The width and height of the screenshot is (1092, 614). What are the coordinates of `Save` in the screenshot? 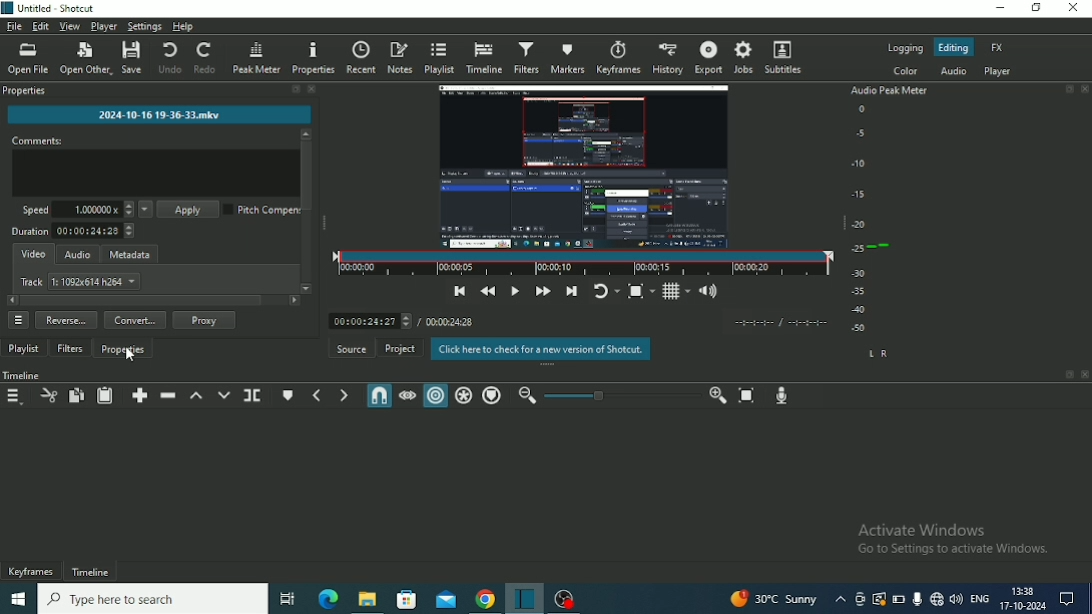 It's located at (133, 57).